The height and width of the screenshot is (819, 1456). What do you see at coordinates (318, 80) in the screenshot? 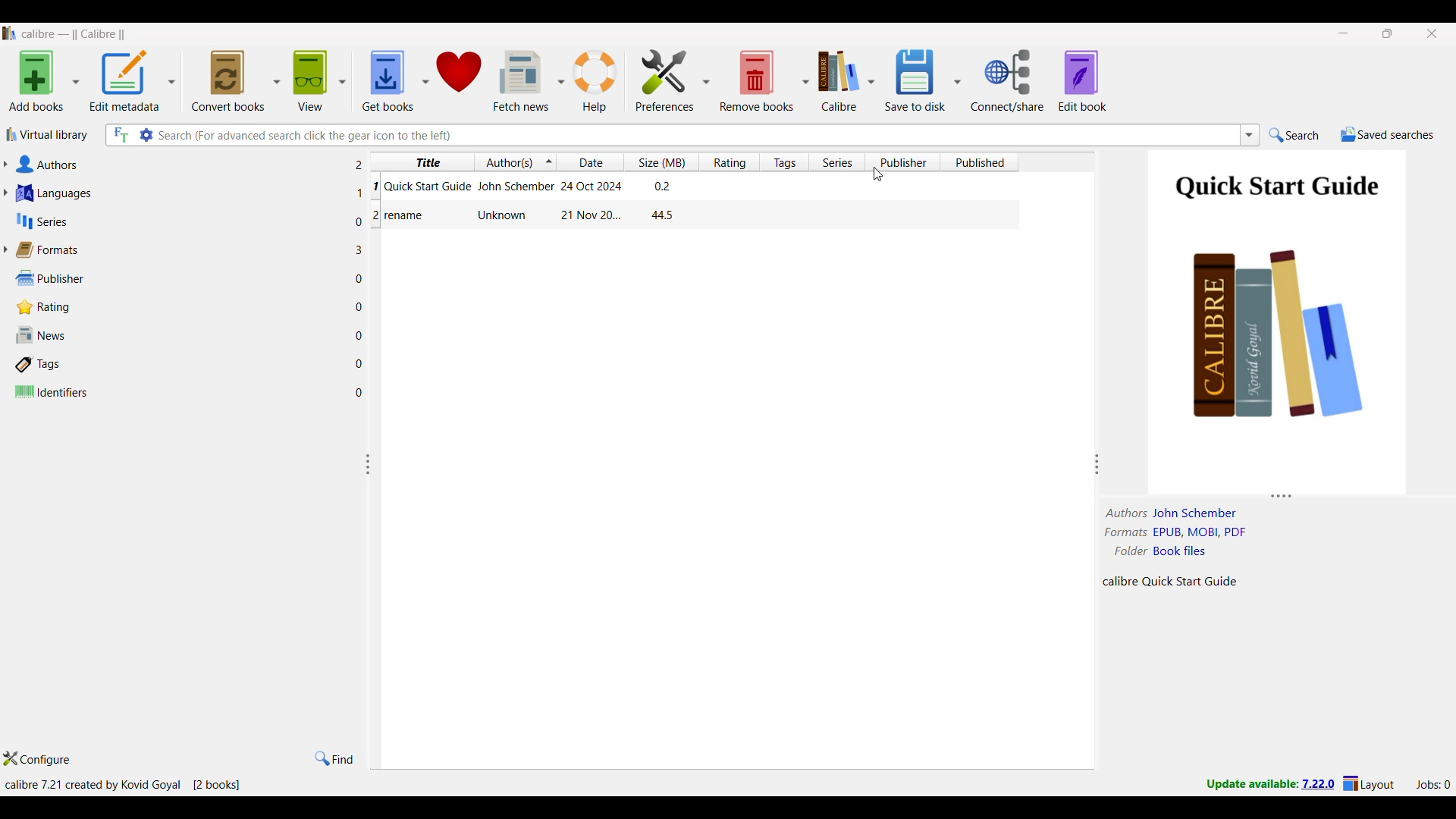
I see `View options` at bounding box center [318, 80].